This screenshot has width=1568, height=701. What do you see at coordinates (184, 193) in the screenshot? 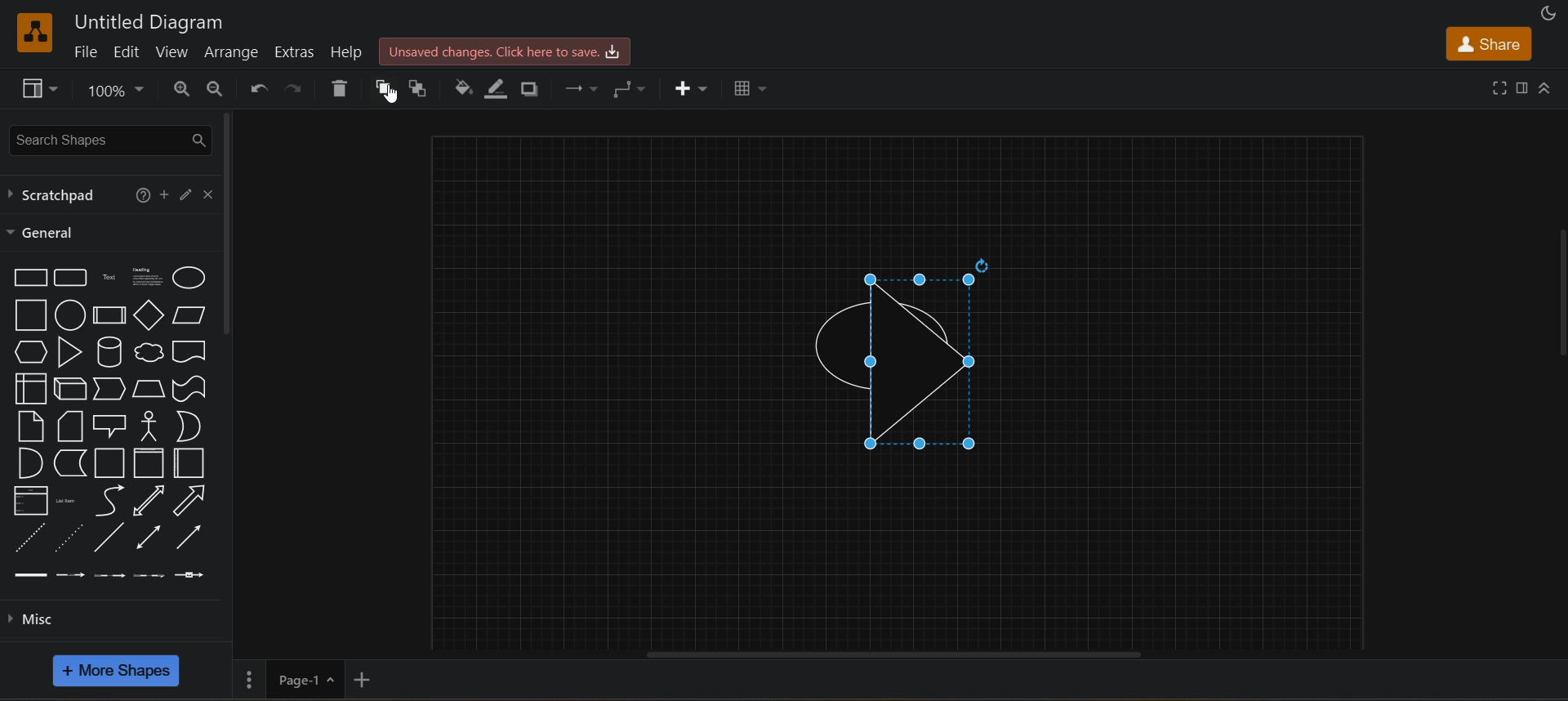
I see `edit` at bounding box center [184, 193].